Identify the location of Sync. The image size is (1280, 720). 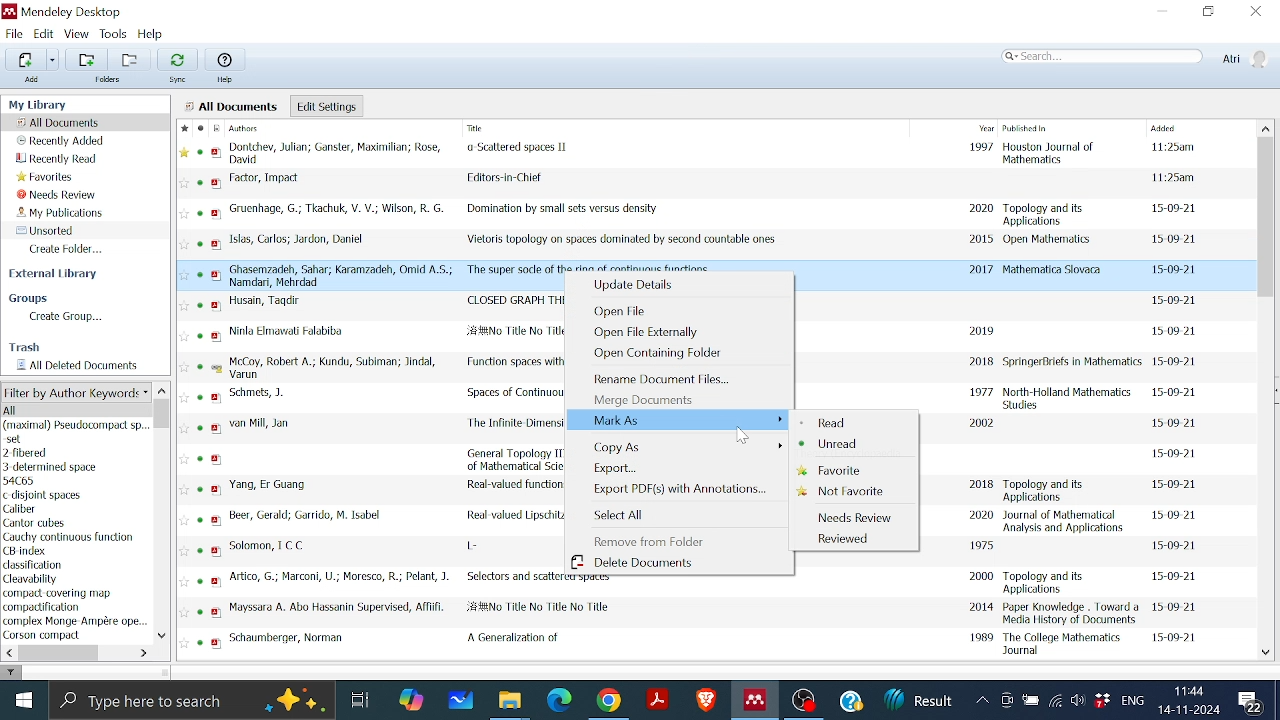
(179, 66).